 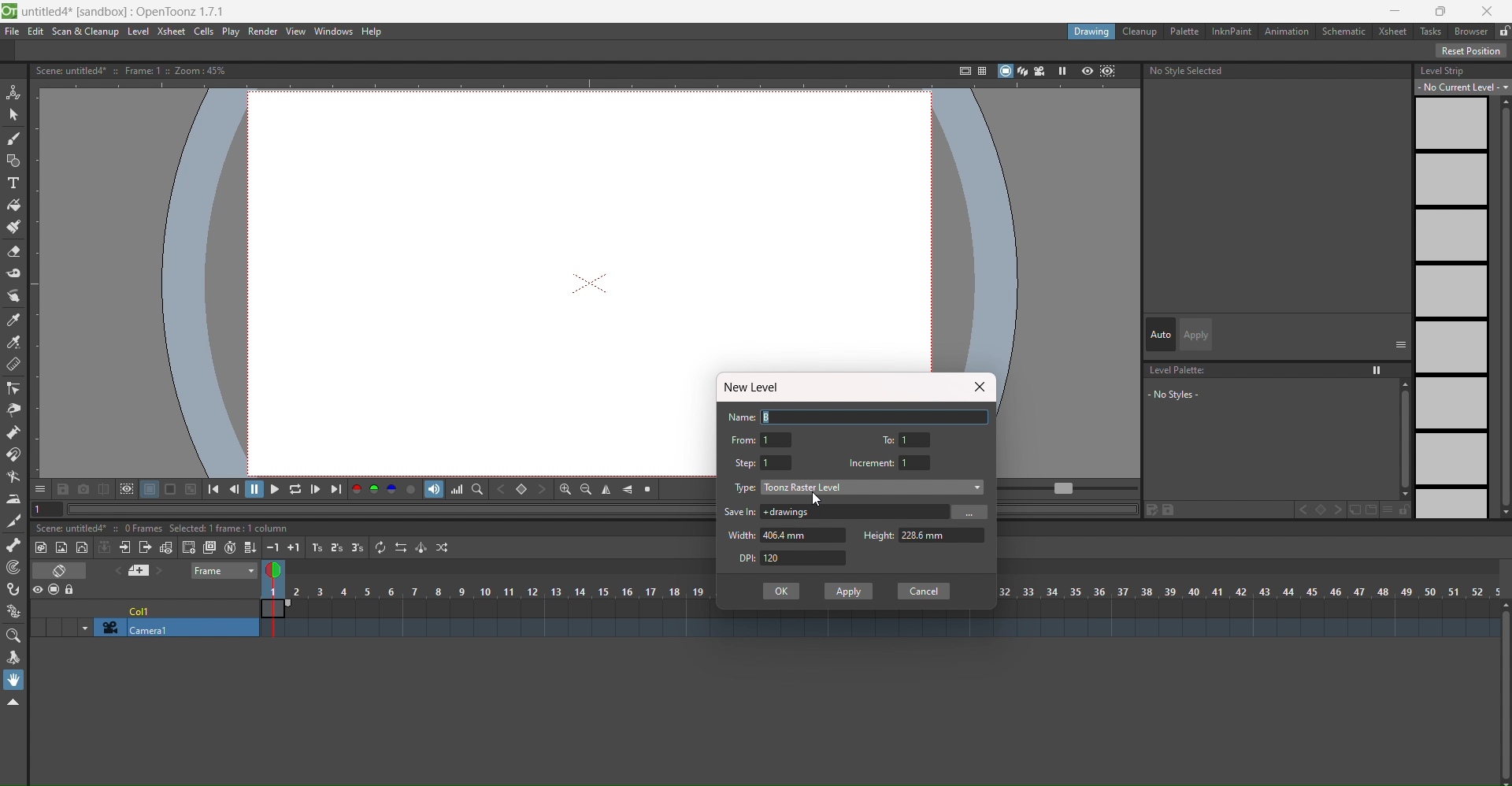 What do you see at coordinates (1012, 72) in the screenshot?
I see `stand view` at bounding box center [1012, 72].